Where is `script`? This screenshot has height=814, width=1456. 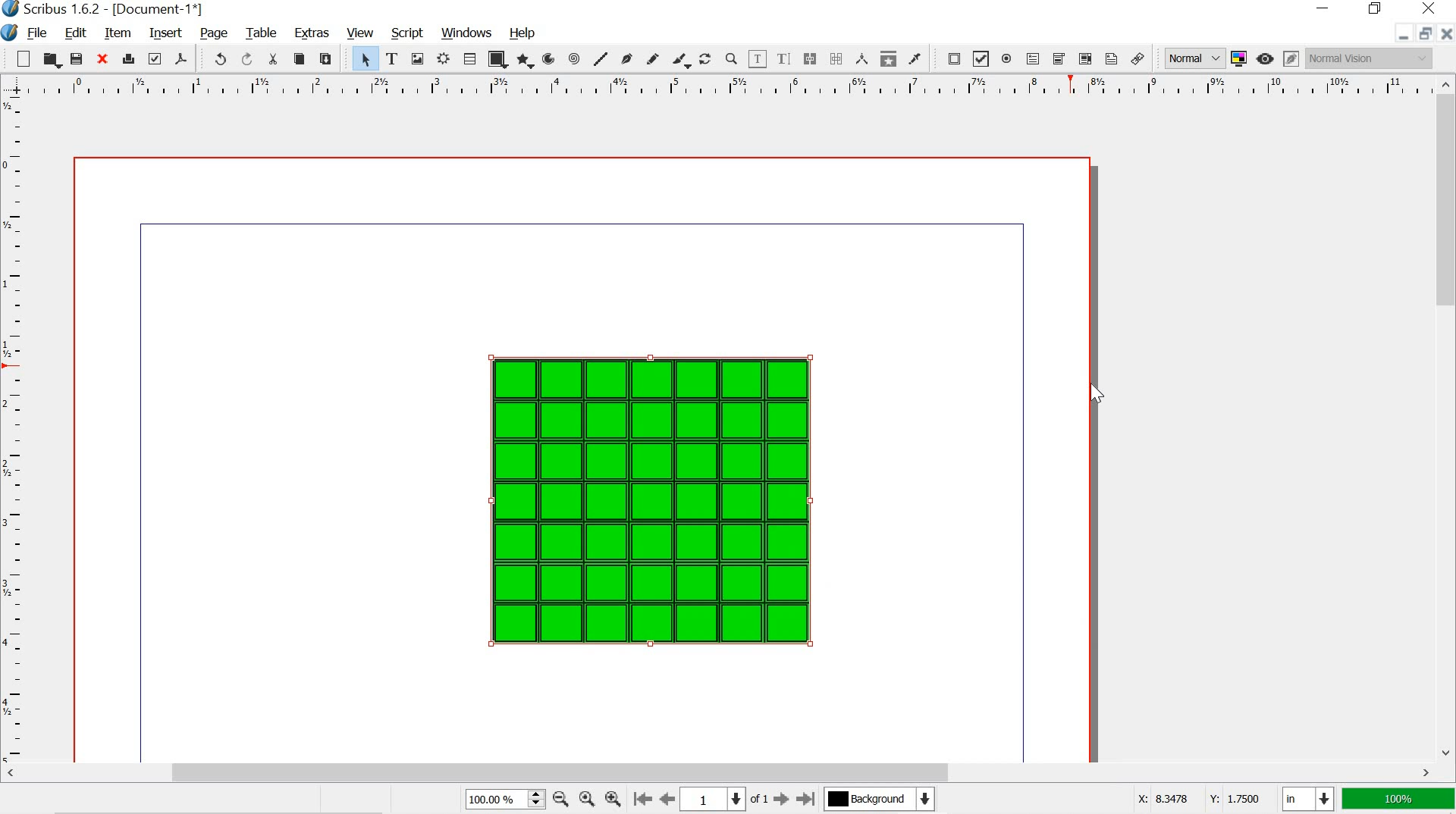 script is located at coordinates (408, 34).